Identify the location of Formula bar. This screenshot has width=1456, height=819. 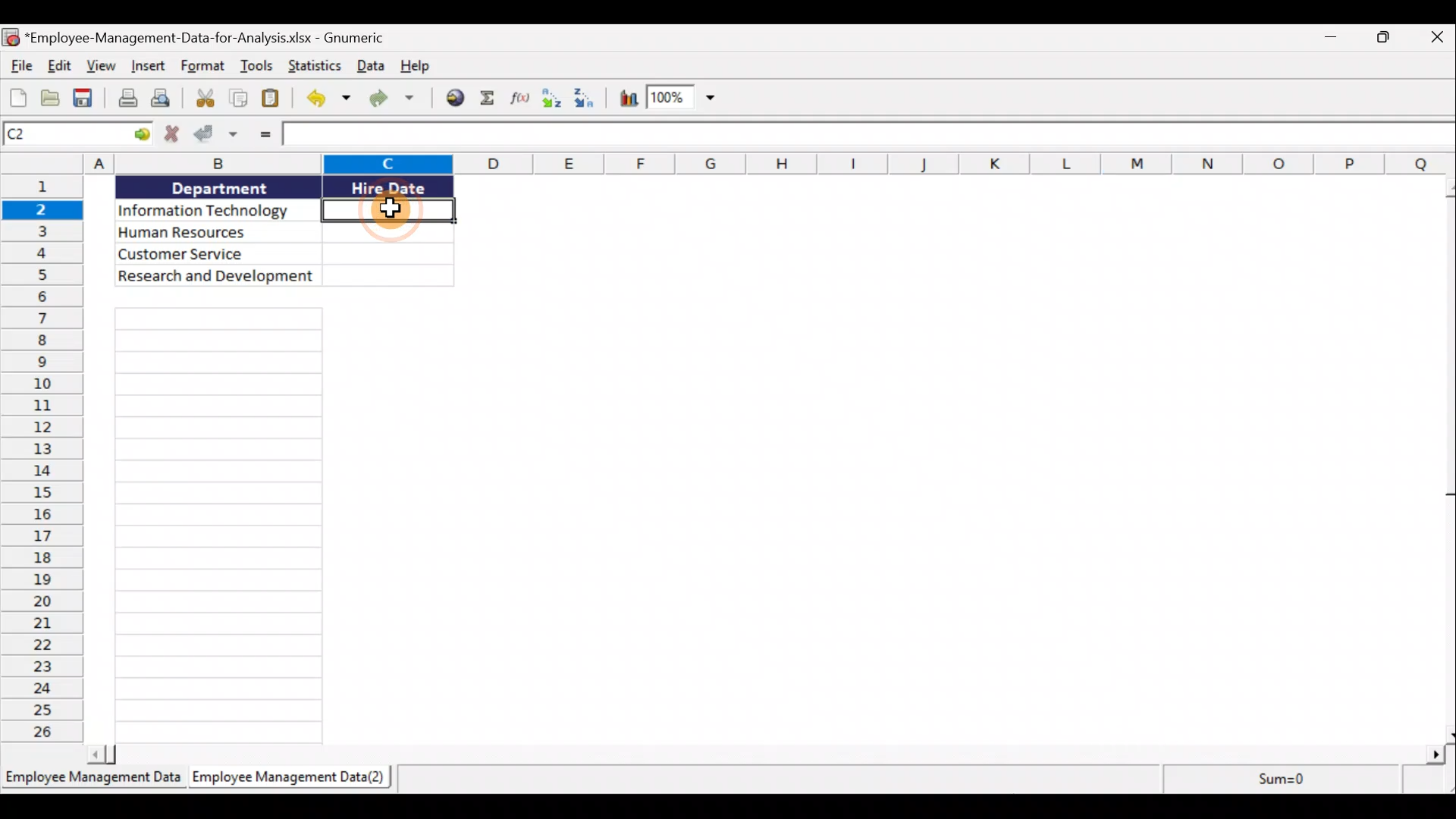
(868, 134).